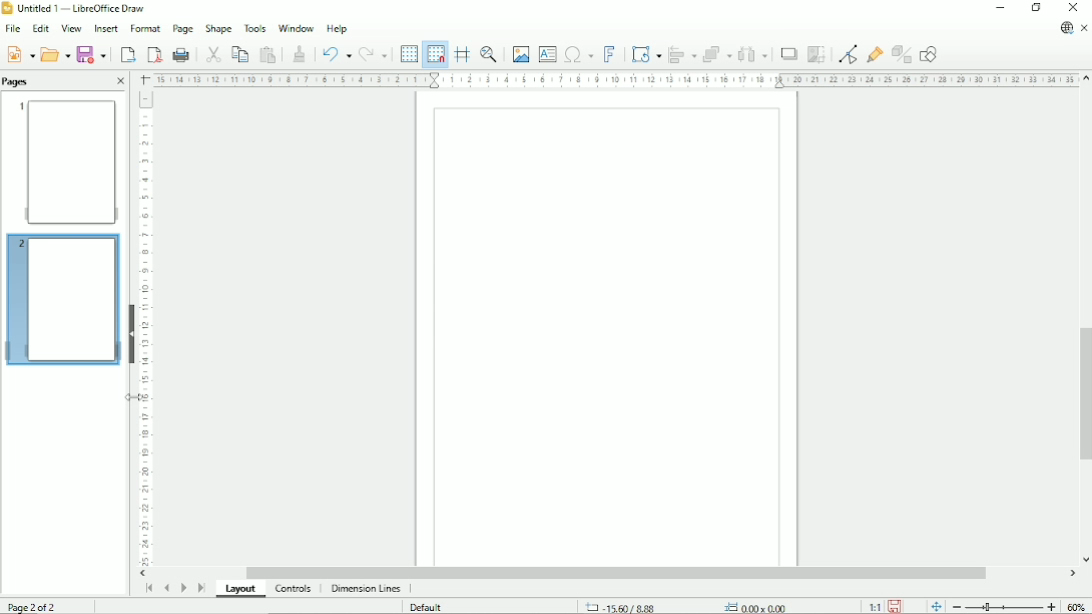 The image size is (1092, 614). I want to click on Redo, so click(373, 55).